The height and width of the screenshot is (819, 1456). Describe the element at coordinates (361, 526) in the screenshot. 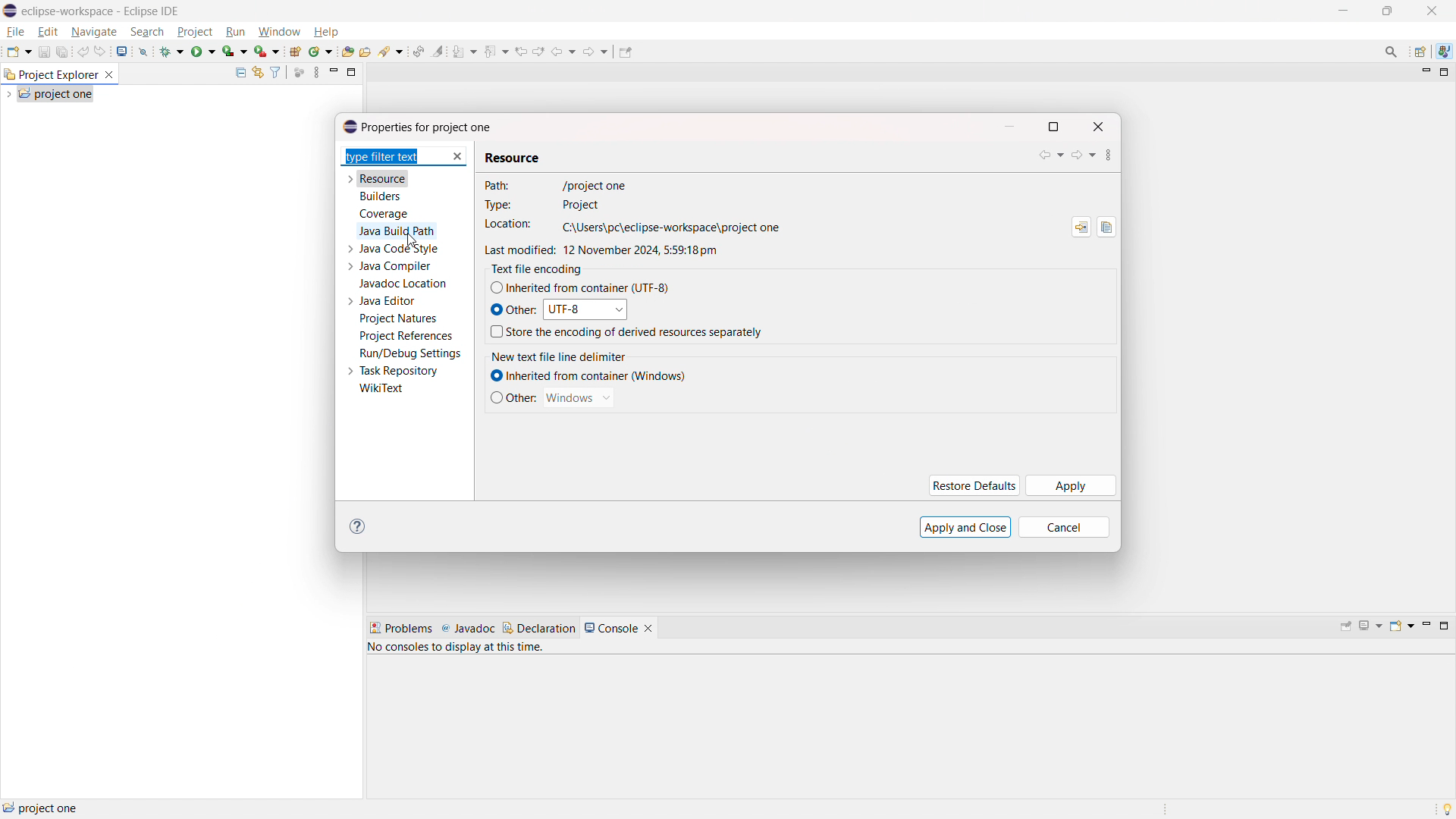

I see `help` at that location.